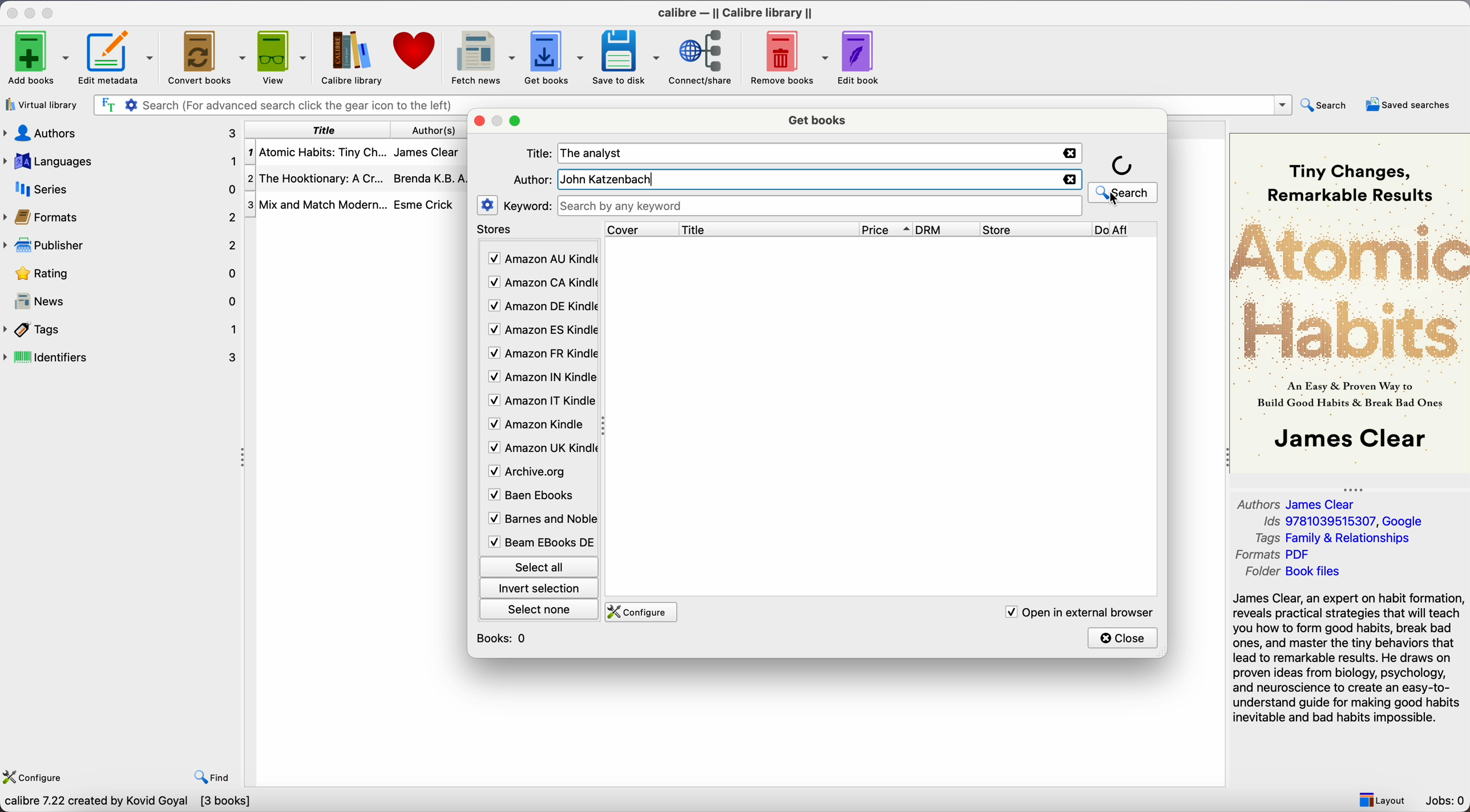 The width and height of the screenshot is (1470, 812). What do you see at coordinates (118, 59) in the screenshot?
I see `edit metadata` at bounding box center [118, 59].